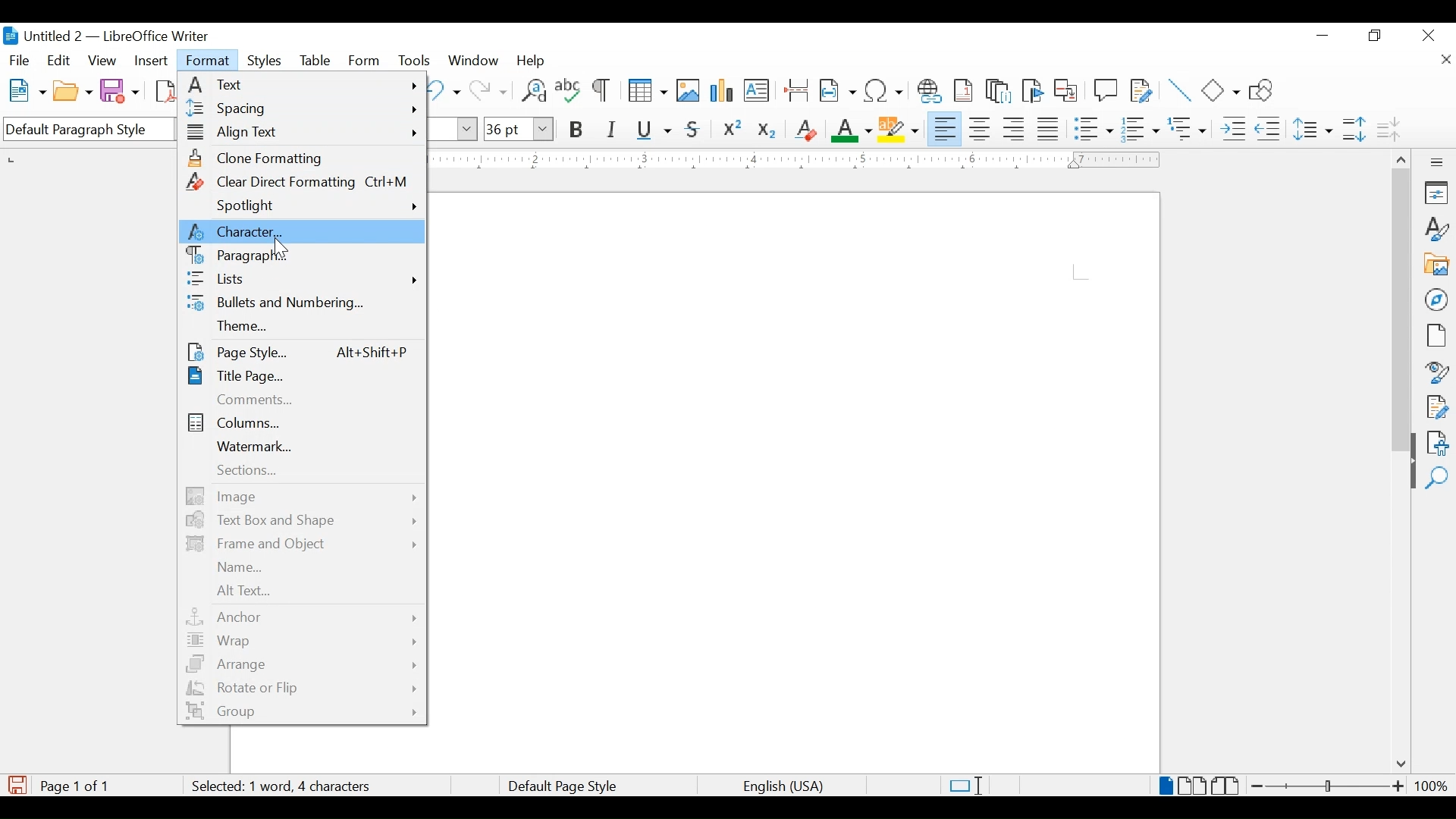  Describe the element at coordinates (243, 326) in the screenshot. I see `theme` at that location.